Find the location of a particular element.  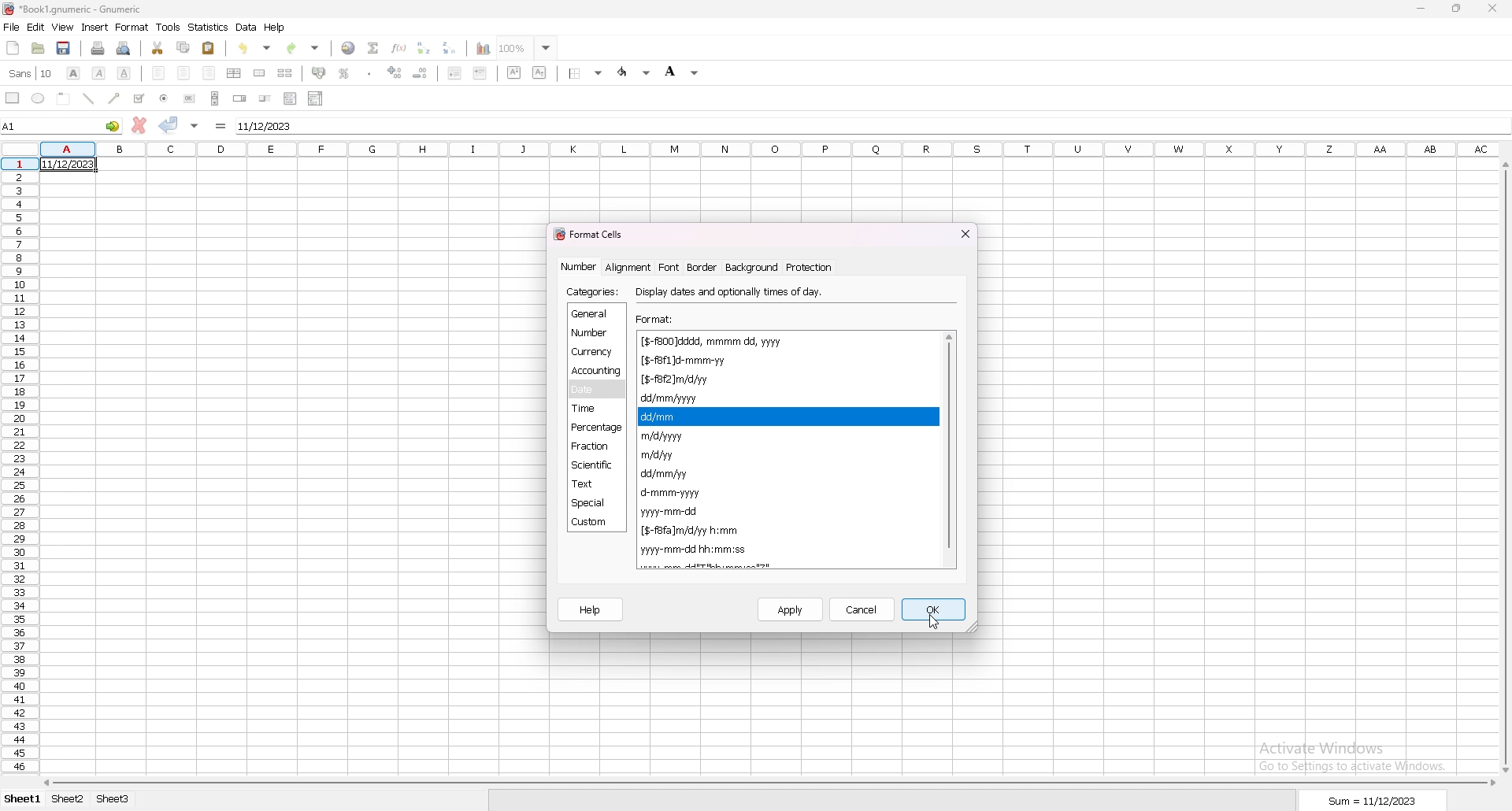

special is located at coordinates (595, 503).